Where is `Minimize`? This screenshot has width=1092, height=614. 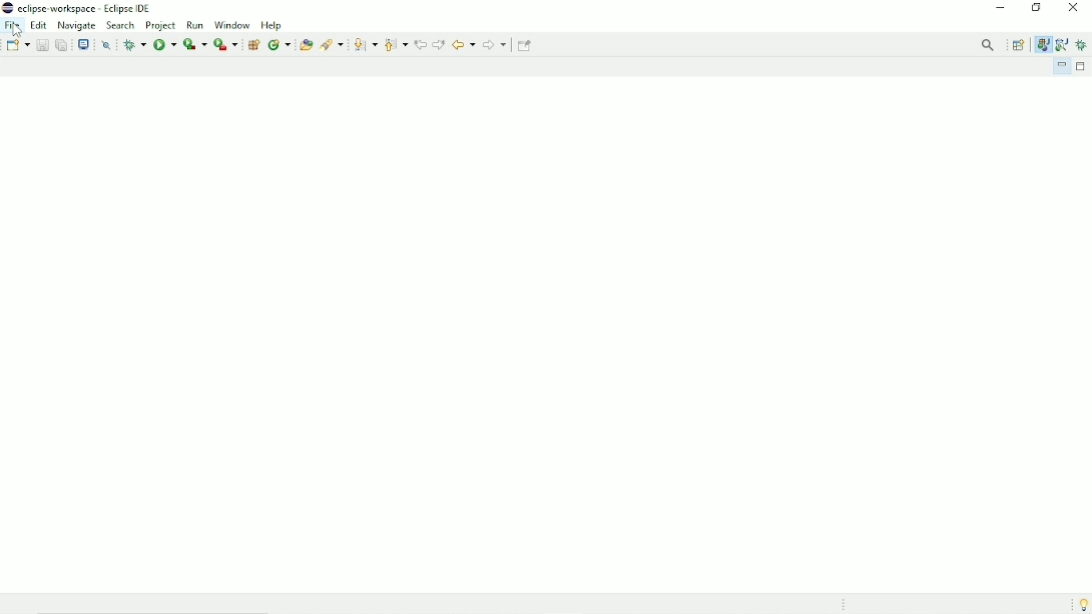 Minimize is located at coordinates (1001, 8).